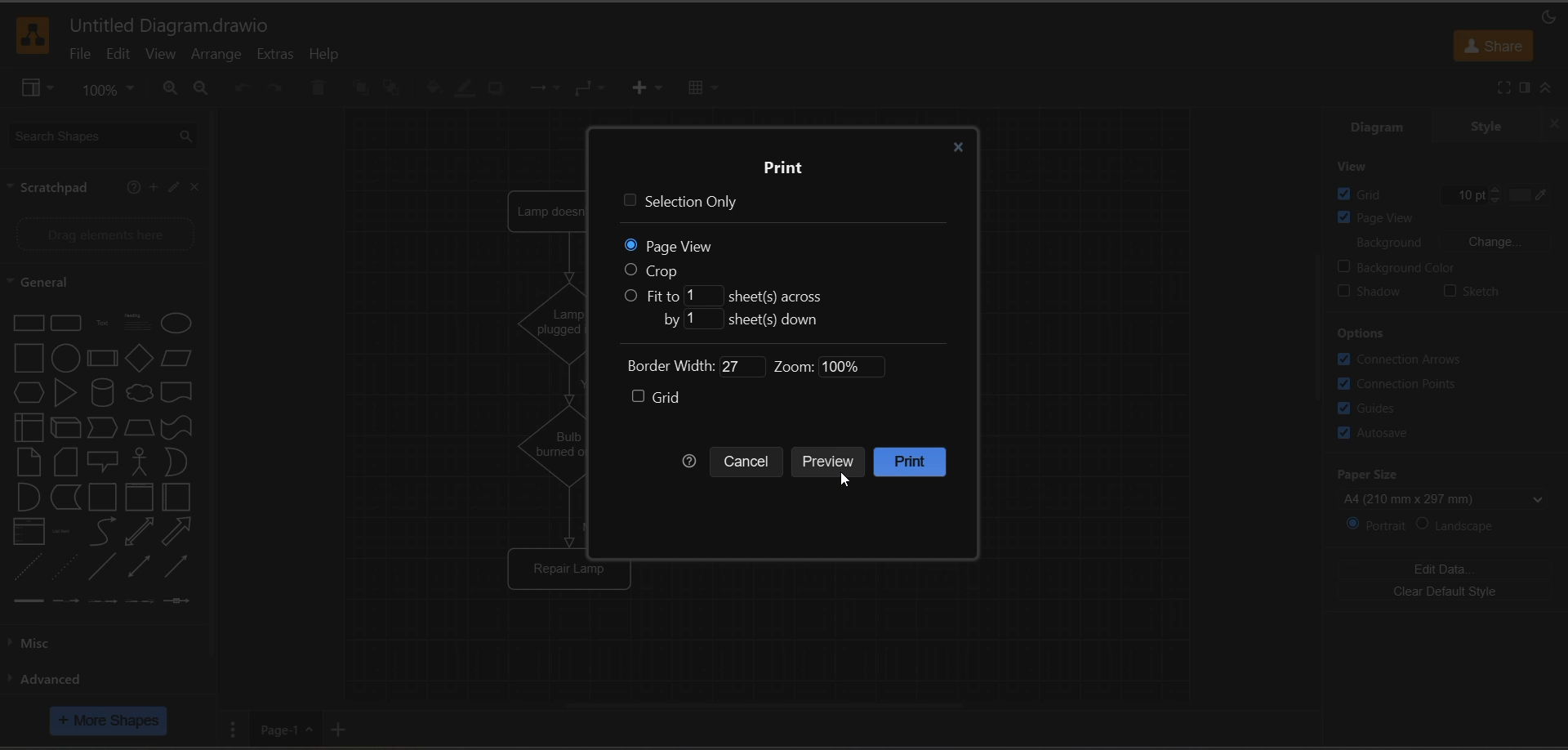 This screenshot has width=1568, height=750. What do you see at coordinates (284, 729) in the screenshot?
I see `page` at bounding box center [284, 729].